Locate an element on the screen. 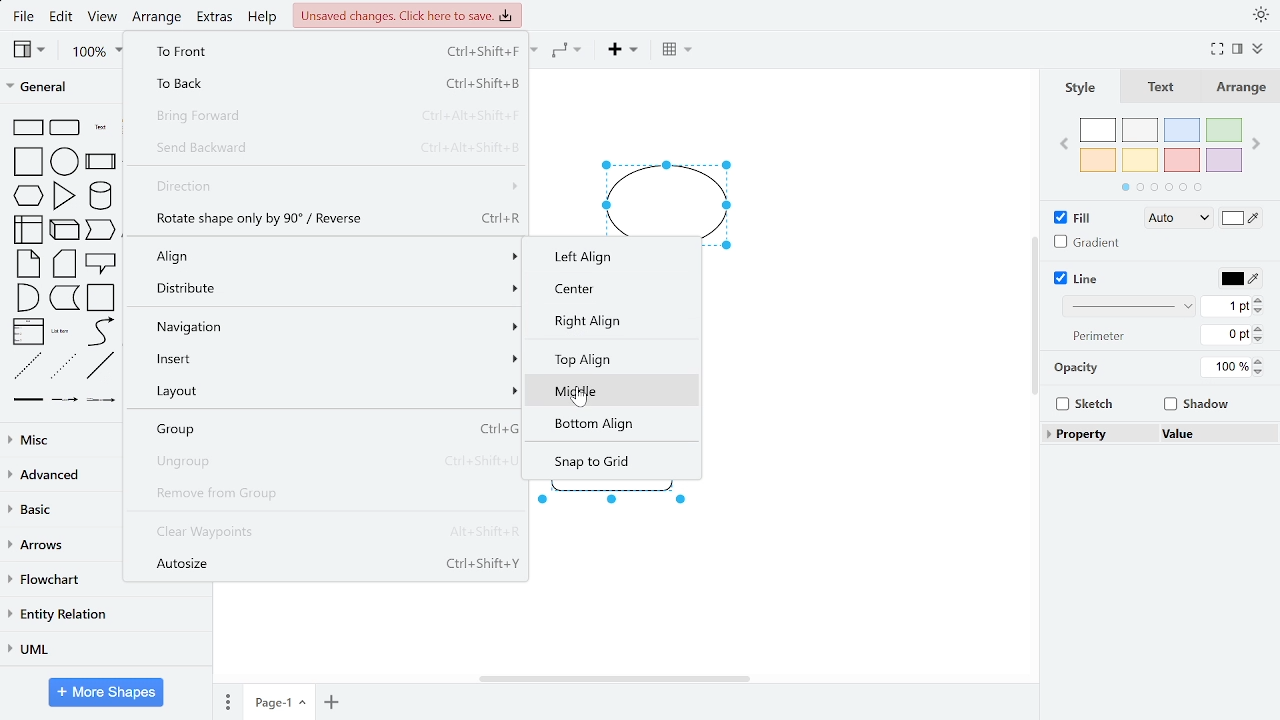 This screenshot has width=1280, height=720. flowchart is located at coordinates (61, 581).